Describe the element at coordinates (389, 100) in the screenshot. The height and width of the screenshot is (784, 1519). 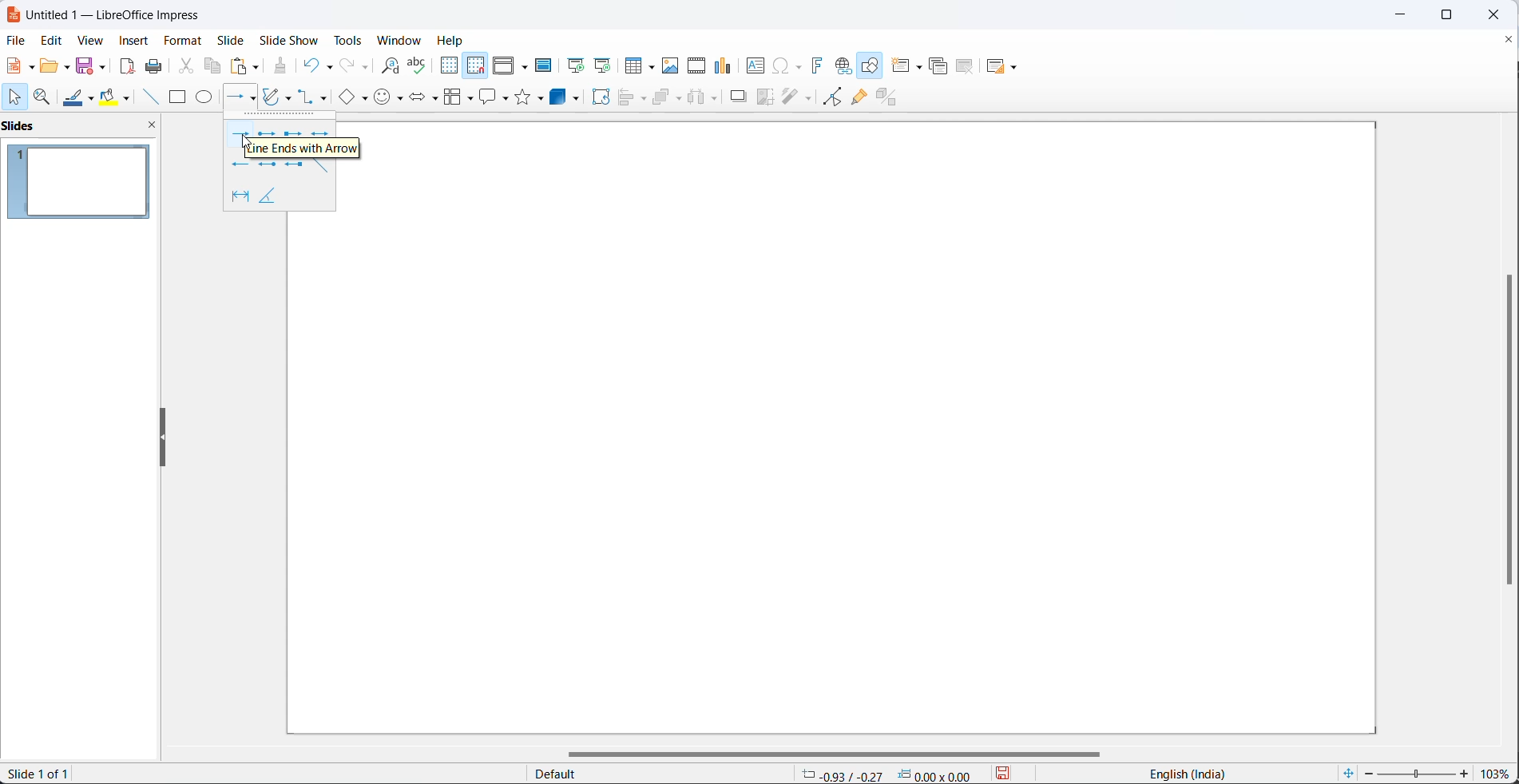
I see `symbol shapes` at that location.